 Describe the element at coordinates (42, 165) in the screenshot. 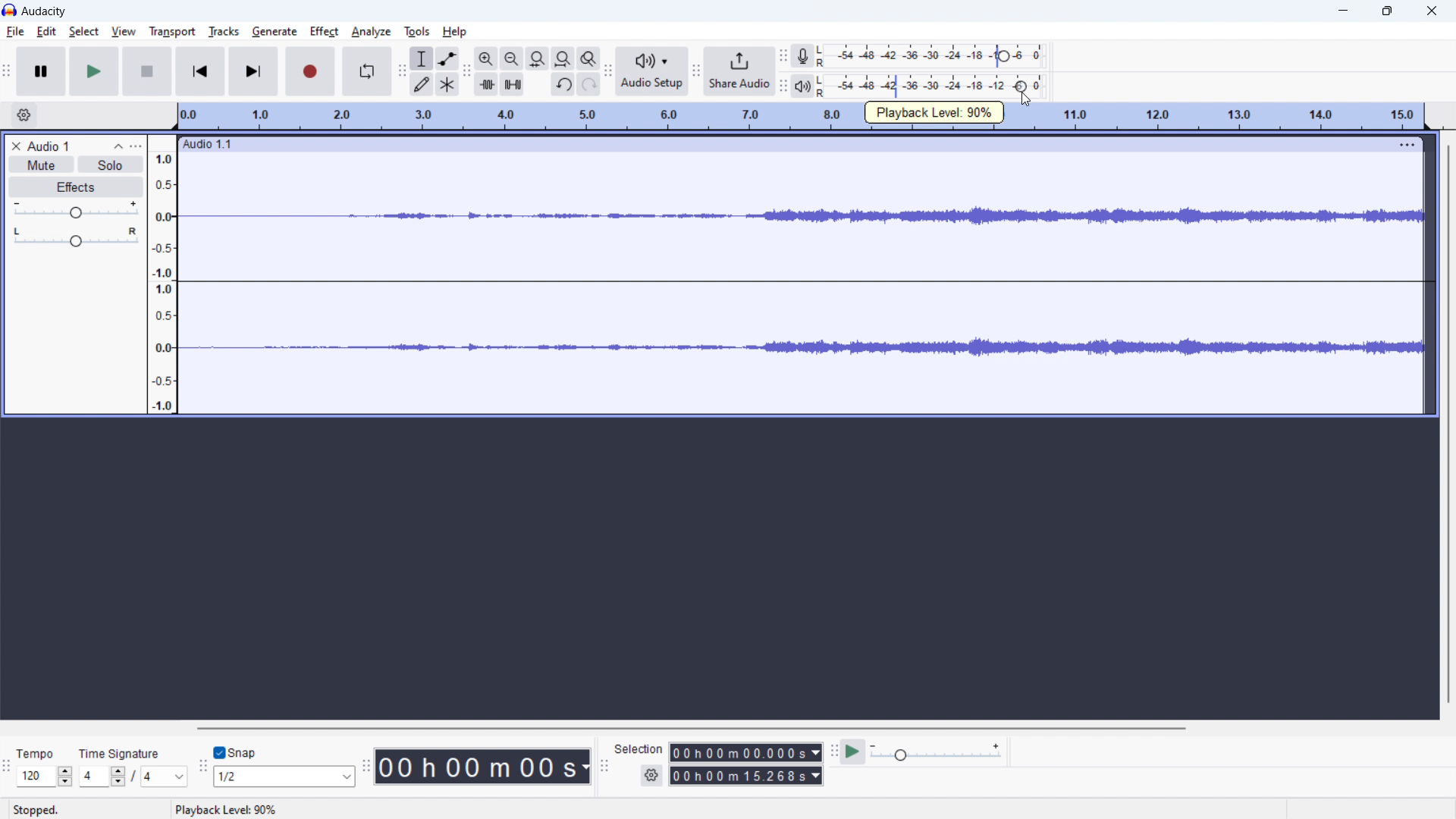

I see `mute` at that location.